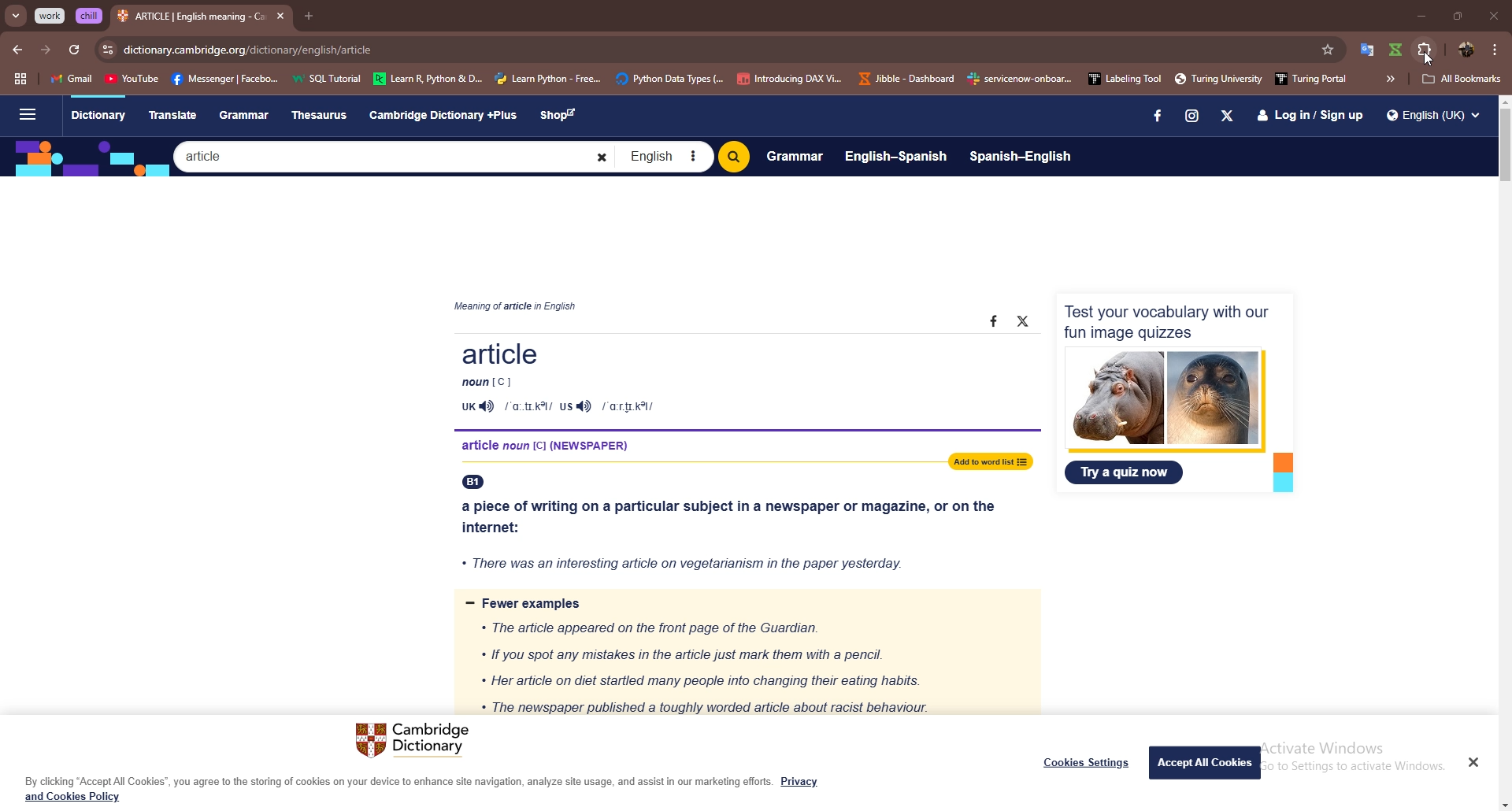  Describe the element at coordinates (1435, 114) in the screenshot. I see `Q English (UK) v` at that location.